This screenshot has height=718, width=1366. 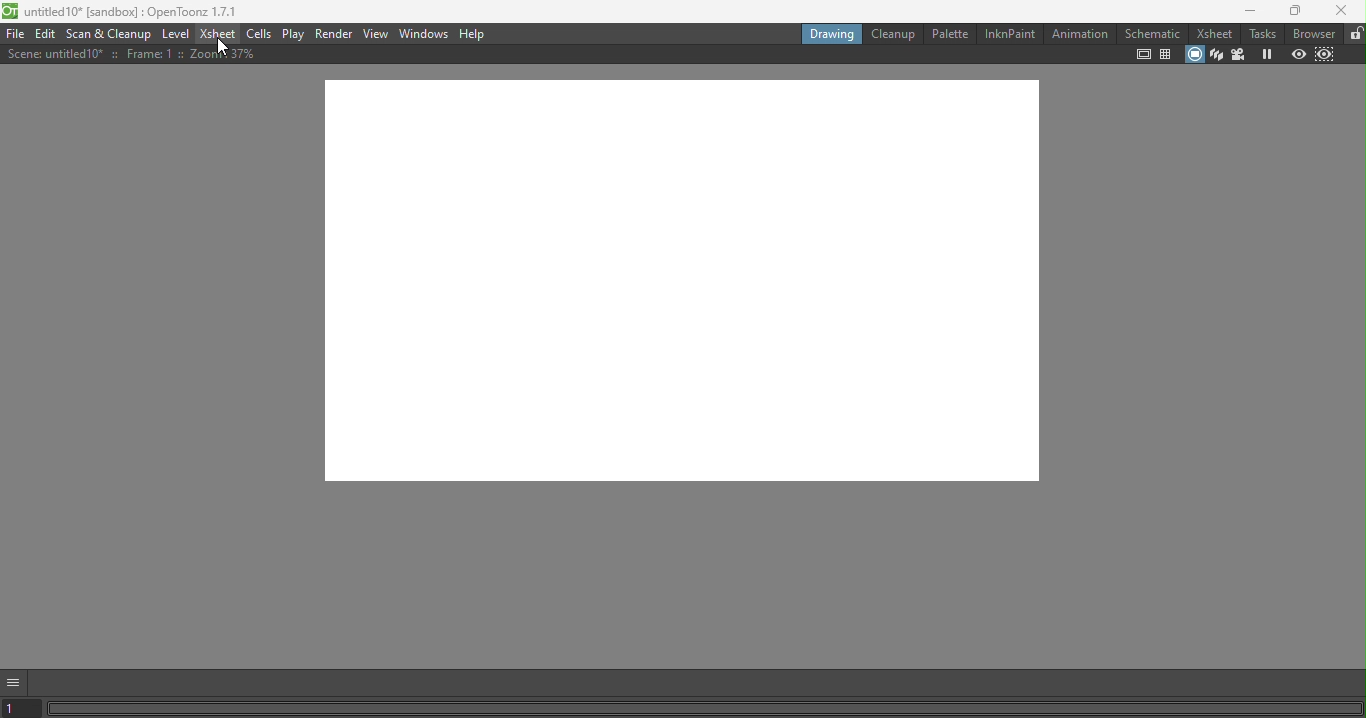 What do you see at coordinates (699, 291) in the screenshot?
I see `Canvas` at bounding box center [699, 291].